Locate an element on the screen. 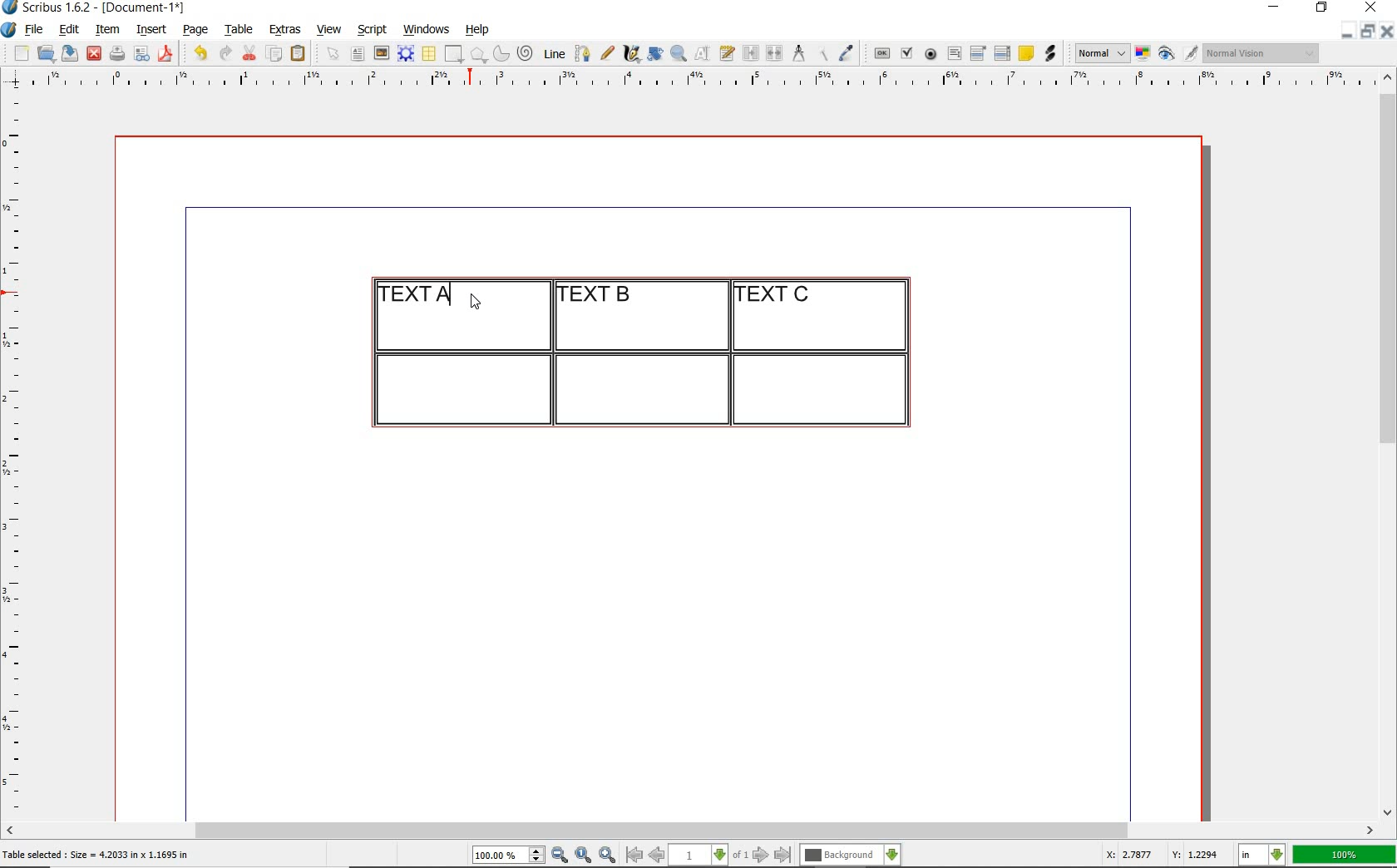 The image size is (1397, 868). zoom in or zoom out is located at coordinates (679, 53).